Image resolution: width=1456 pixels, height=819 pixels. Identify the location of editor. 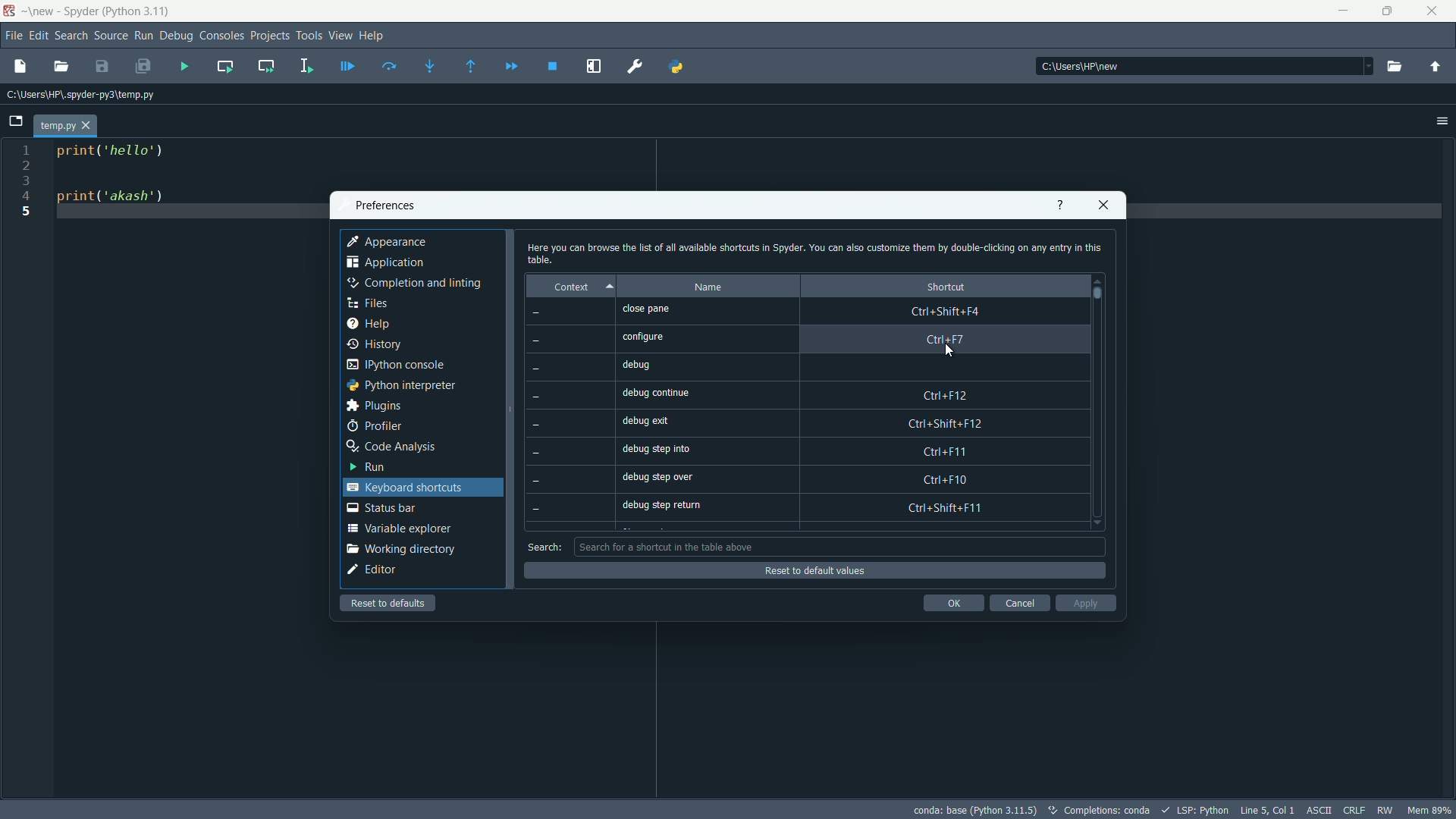
(372, 570).